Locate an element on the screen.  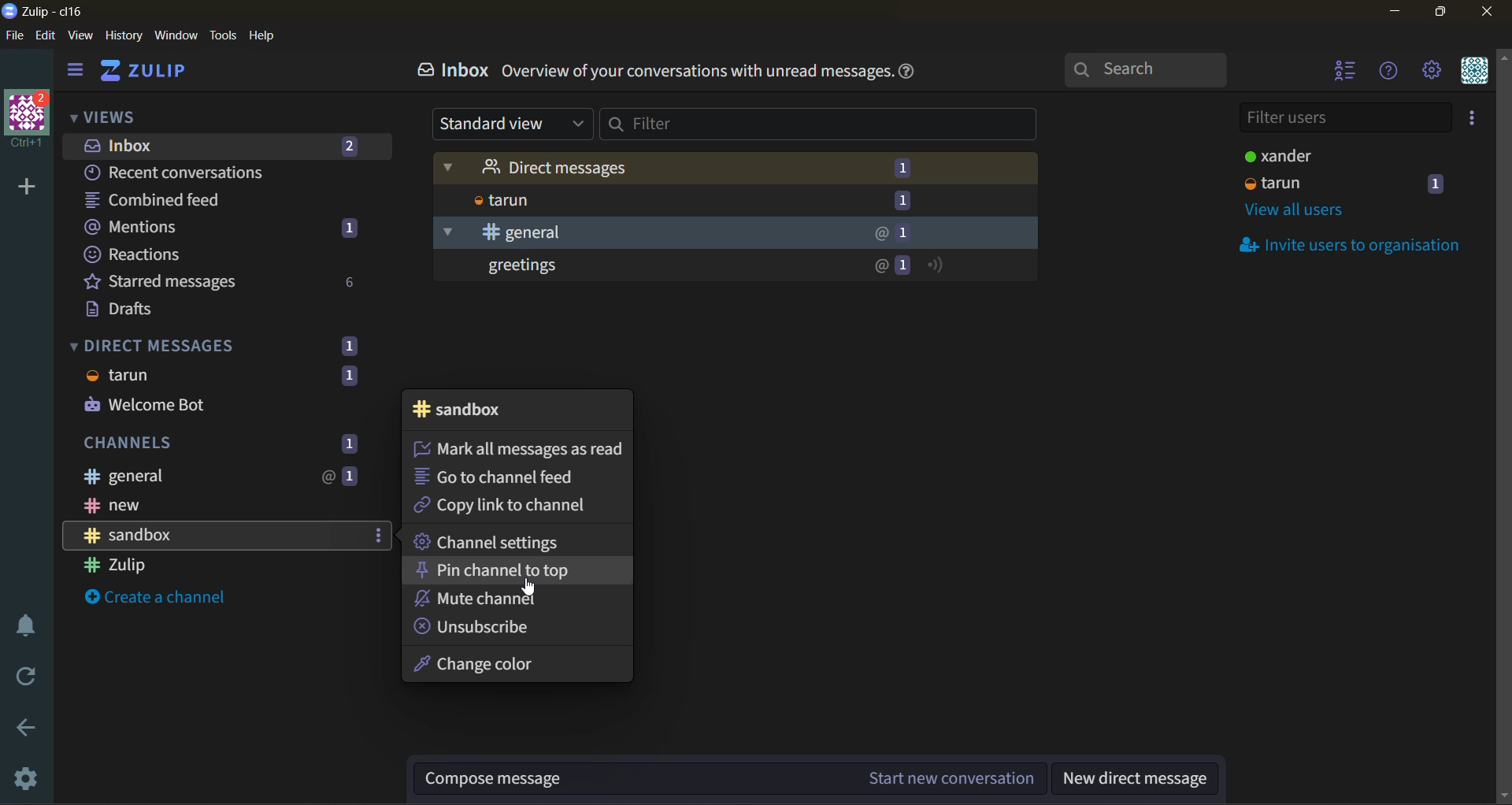
Mouse Pointer is located at coordinates (529, 589).